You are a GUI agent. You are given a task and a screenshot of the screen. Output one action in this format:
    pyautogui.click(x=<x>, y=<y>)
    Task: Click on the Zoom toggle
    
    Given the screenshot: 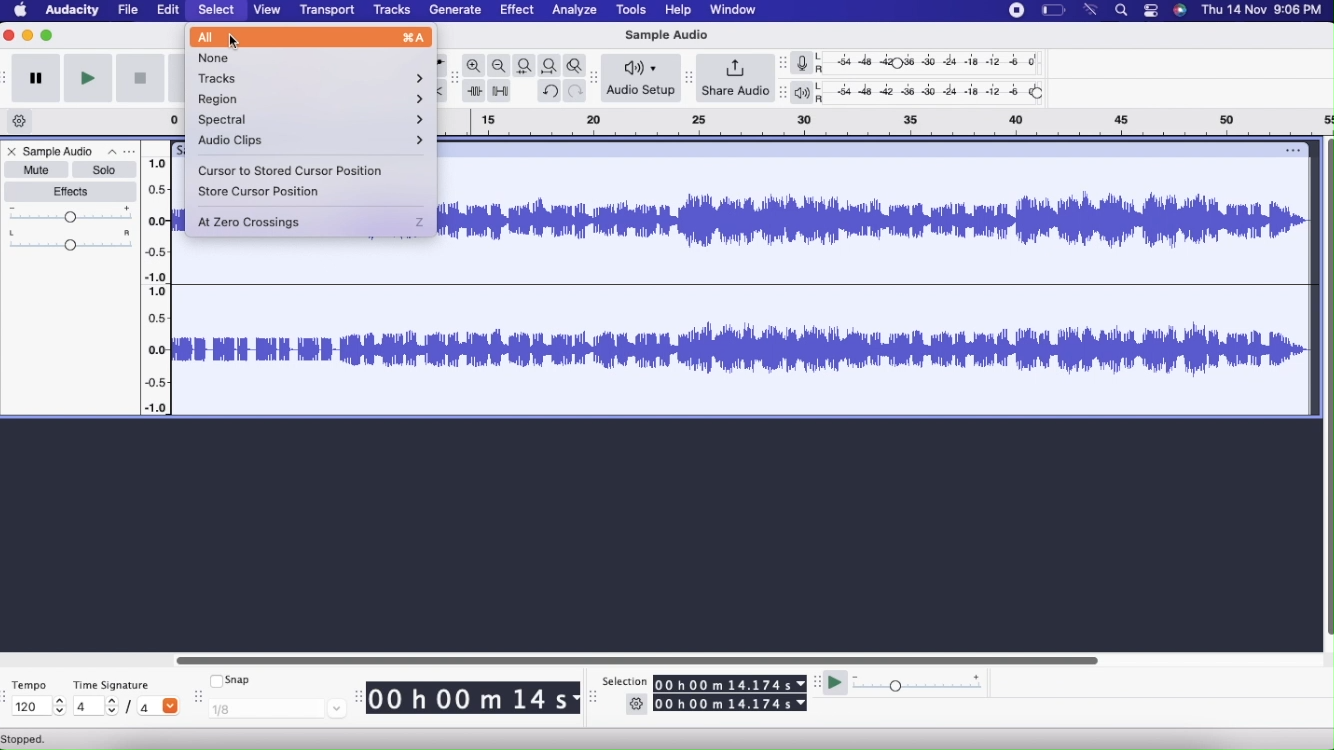 What is the action you would take?
    pyautogui.click(x=574, y=66)
    